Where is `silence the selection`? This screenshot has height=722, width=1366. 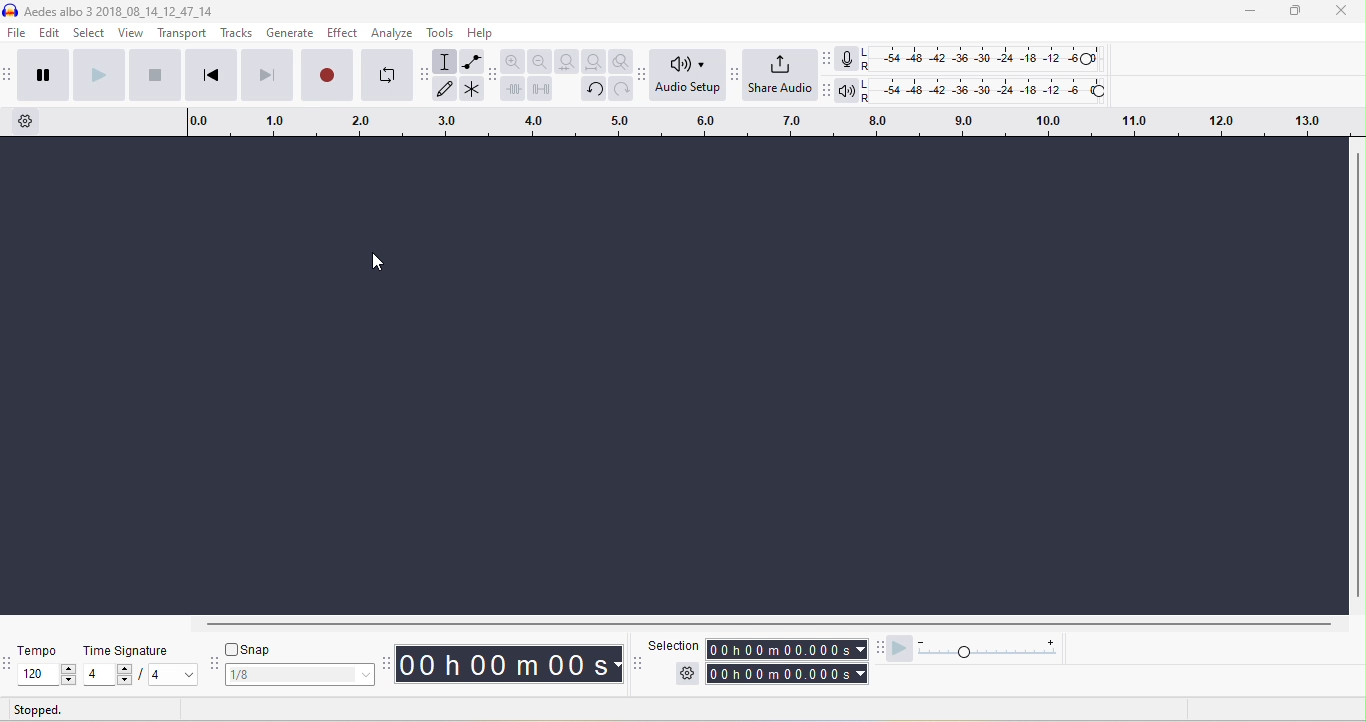
silence the selection is located at coordinates (544, 92).